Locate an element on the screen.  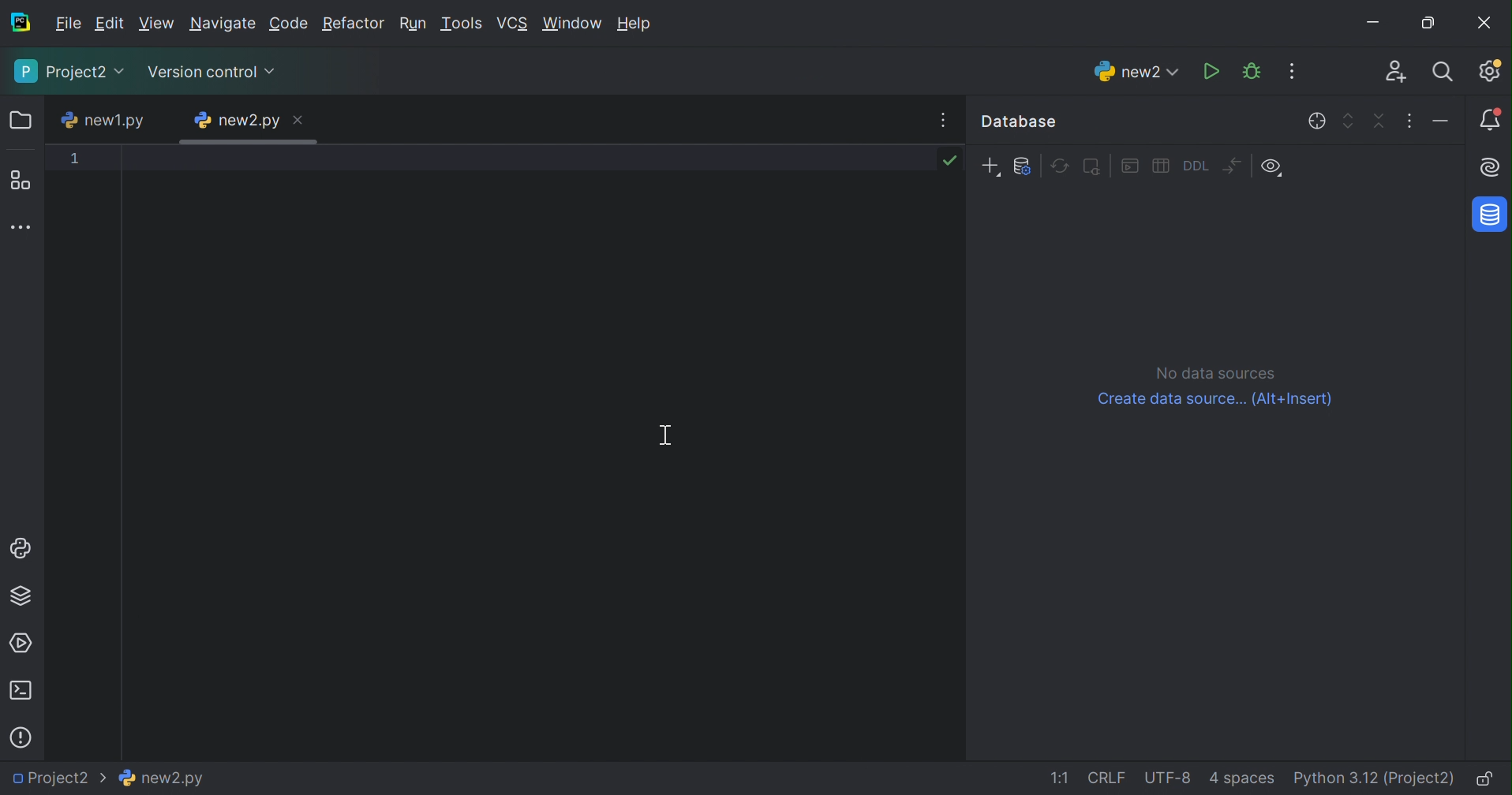
Refactor is located at coordinates (353, 23).